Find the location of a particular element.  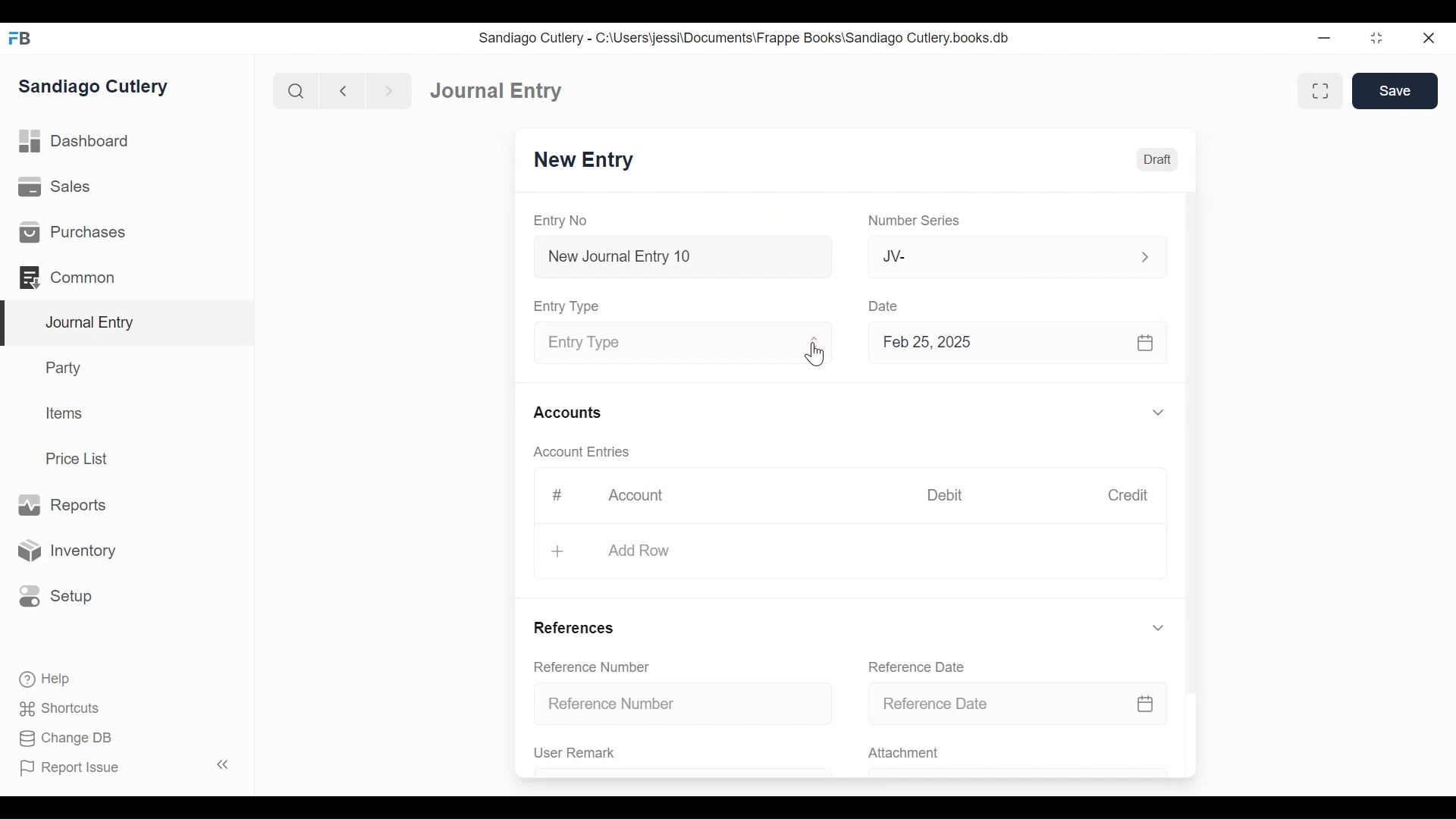

User Remark is located at coordinates (575, 753).